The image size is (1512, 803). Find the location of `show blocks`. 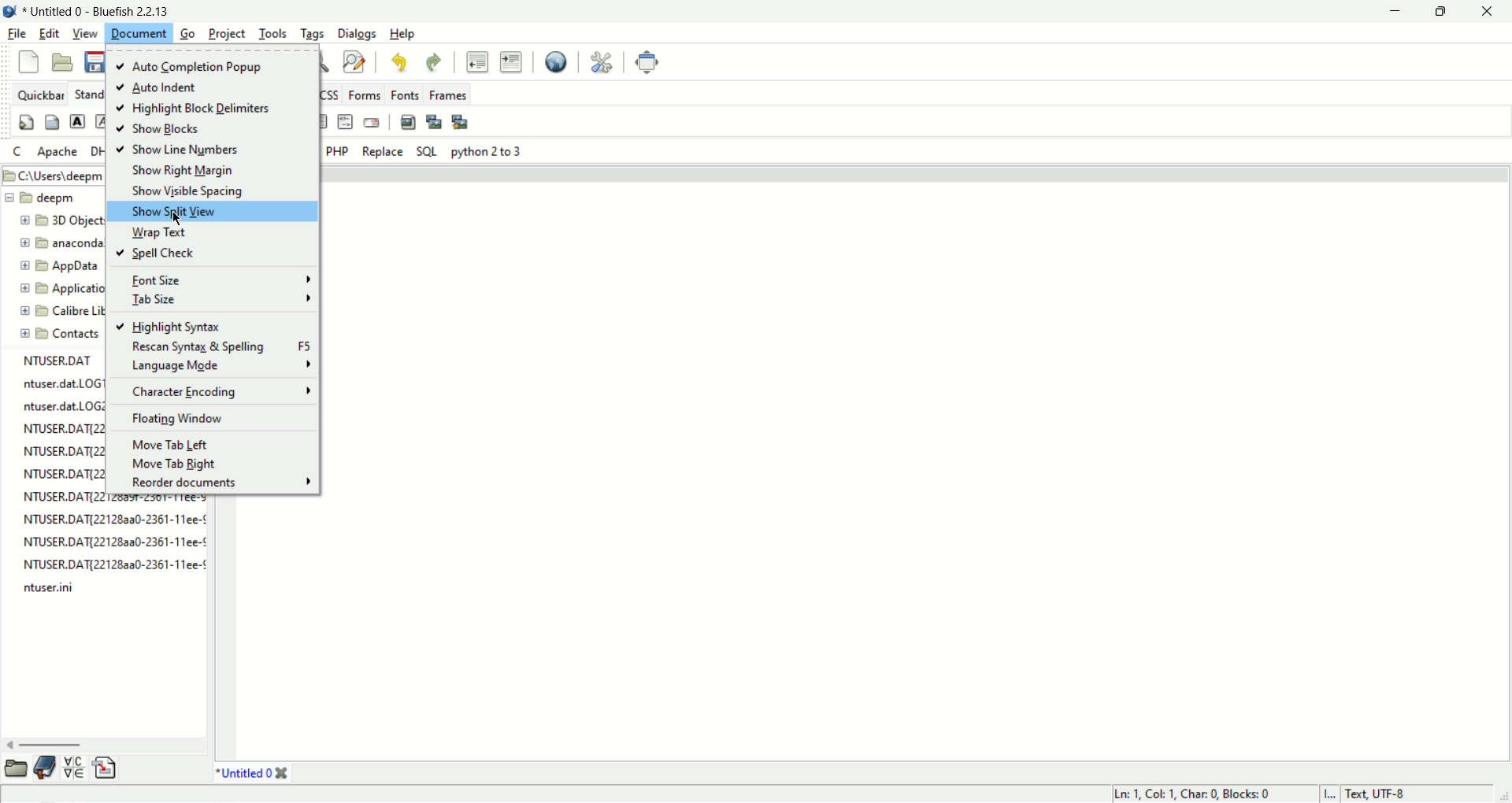

show blocks is located at coordinates (202, 130).